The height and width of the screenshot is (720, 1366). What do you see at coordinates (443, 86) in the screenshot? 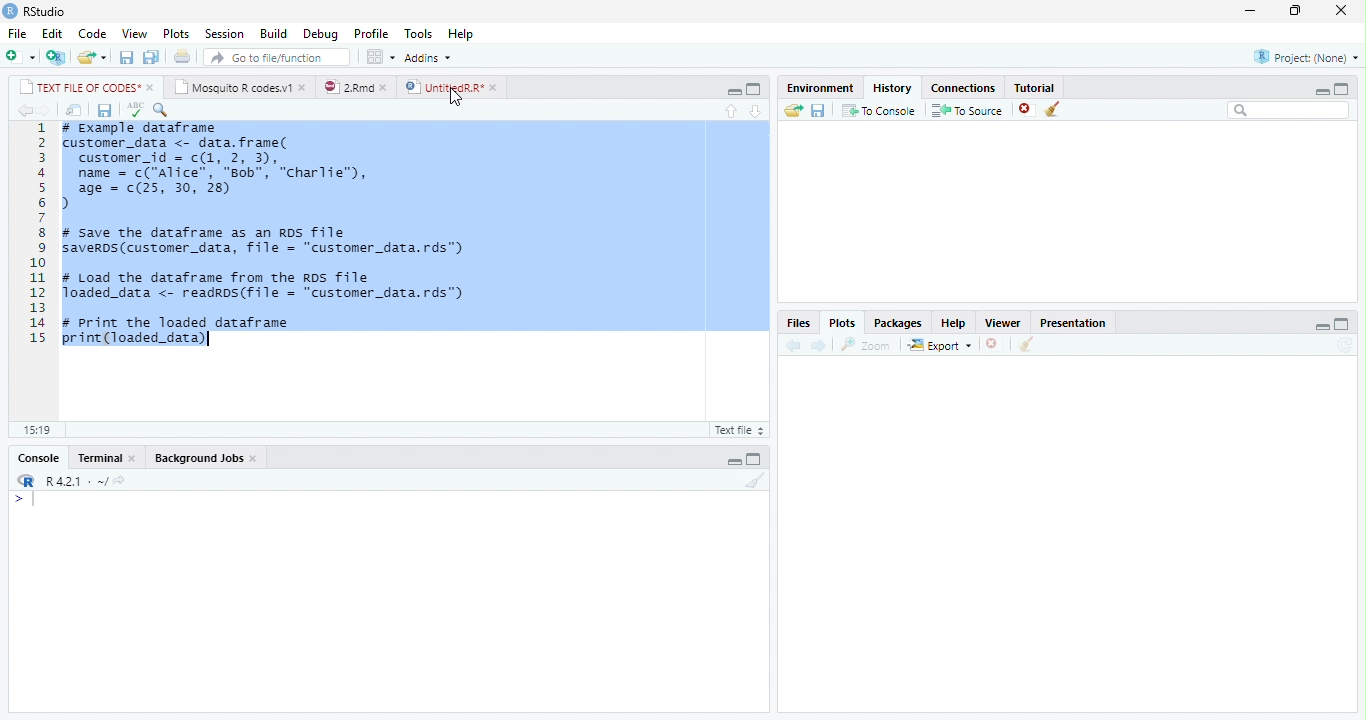
I see `UntitledR.R` at bounding box center [443, 86].